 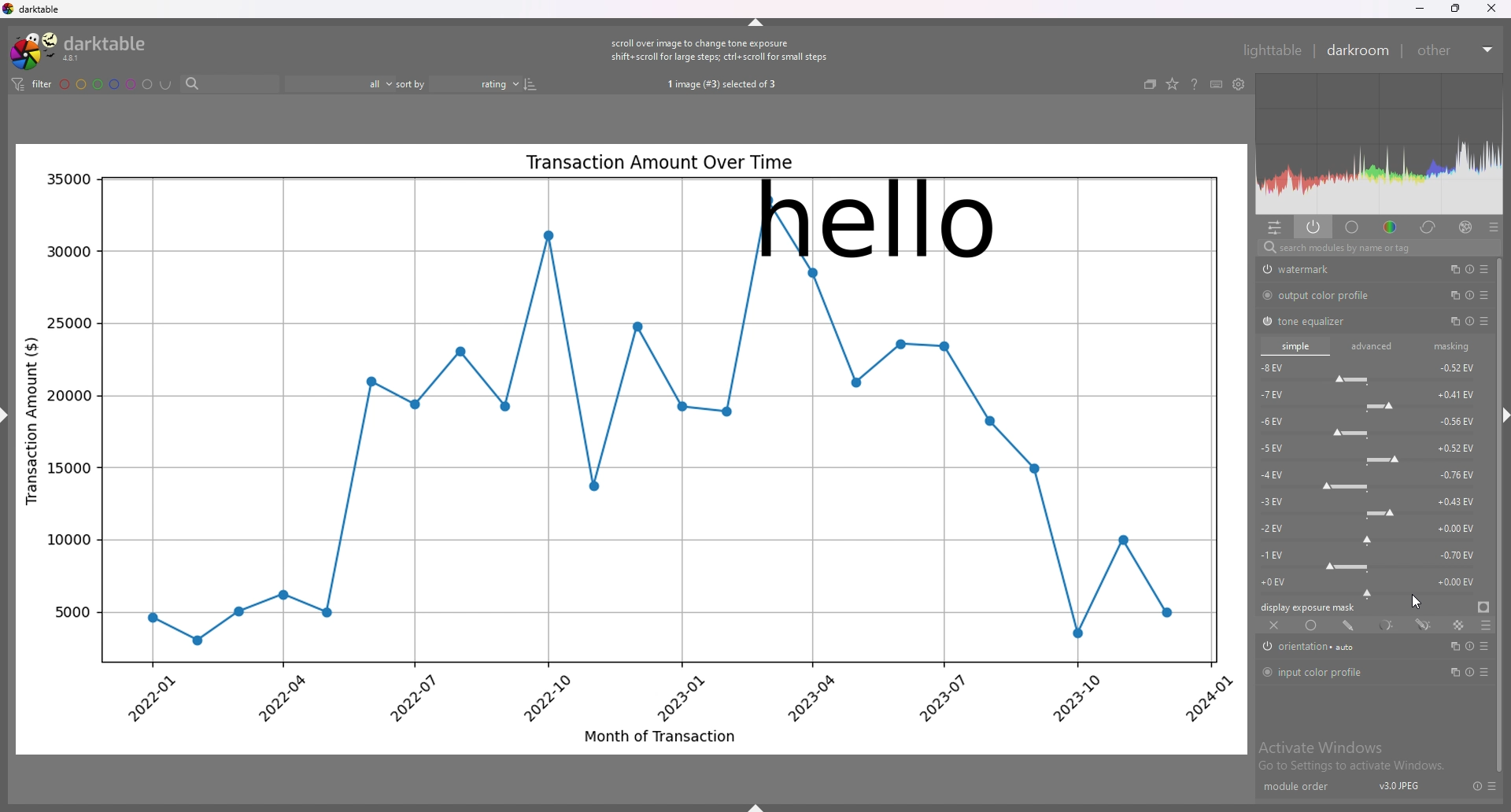 What do you see at coordinates (68, 322) in the screenshot?
I see `25000` at bounding box center [68, 322].